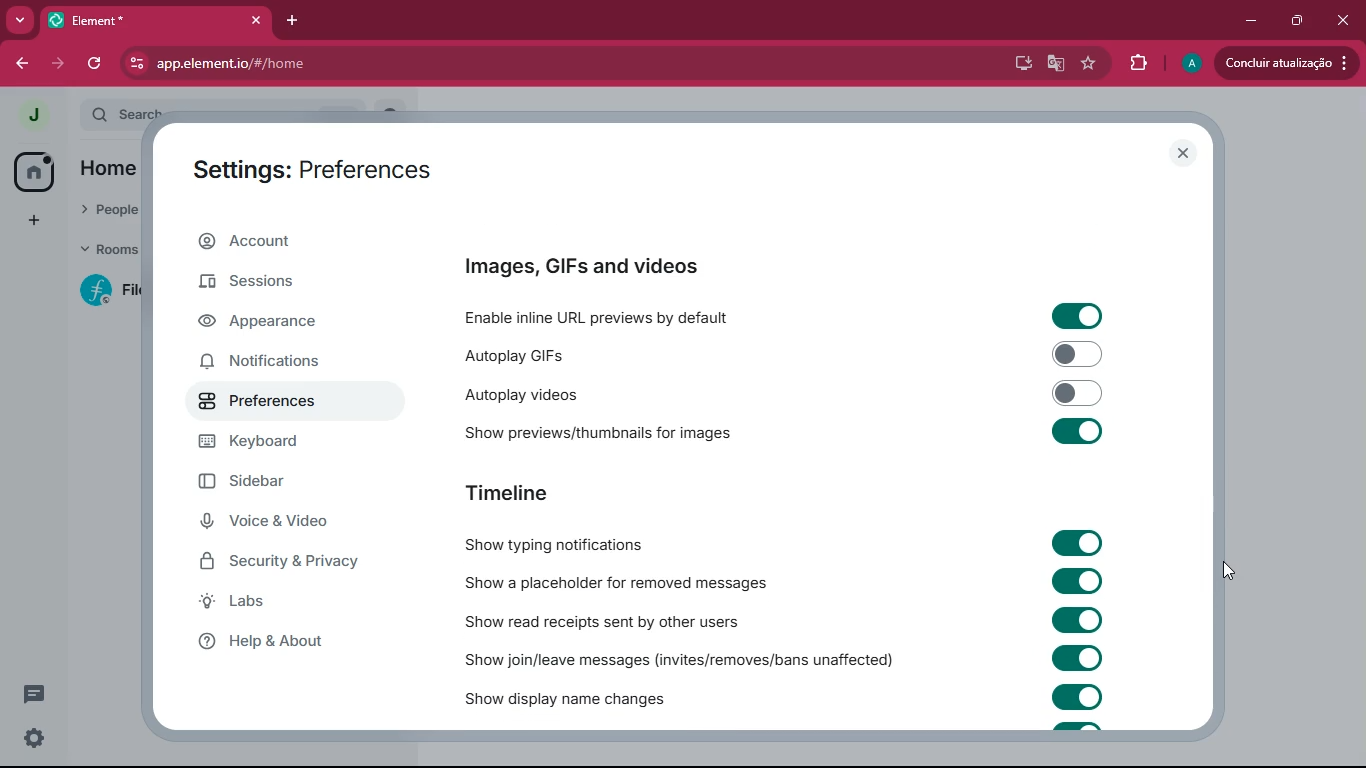 This screenshot has width=1366, height=768. Describe the element at coordinates (302, 642) in the screenshot. I see `help & about` at that location.